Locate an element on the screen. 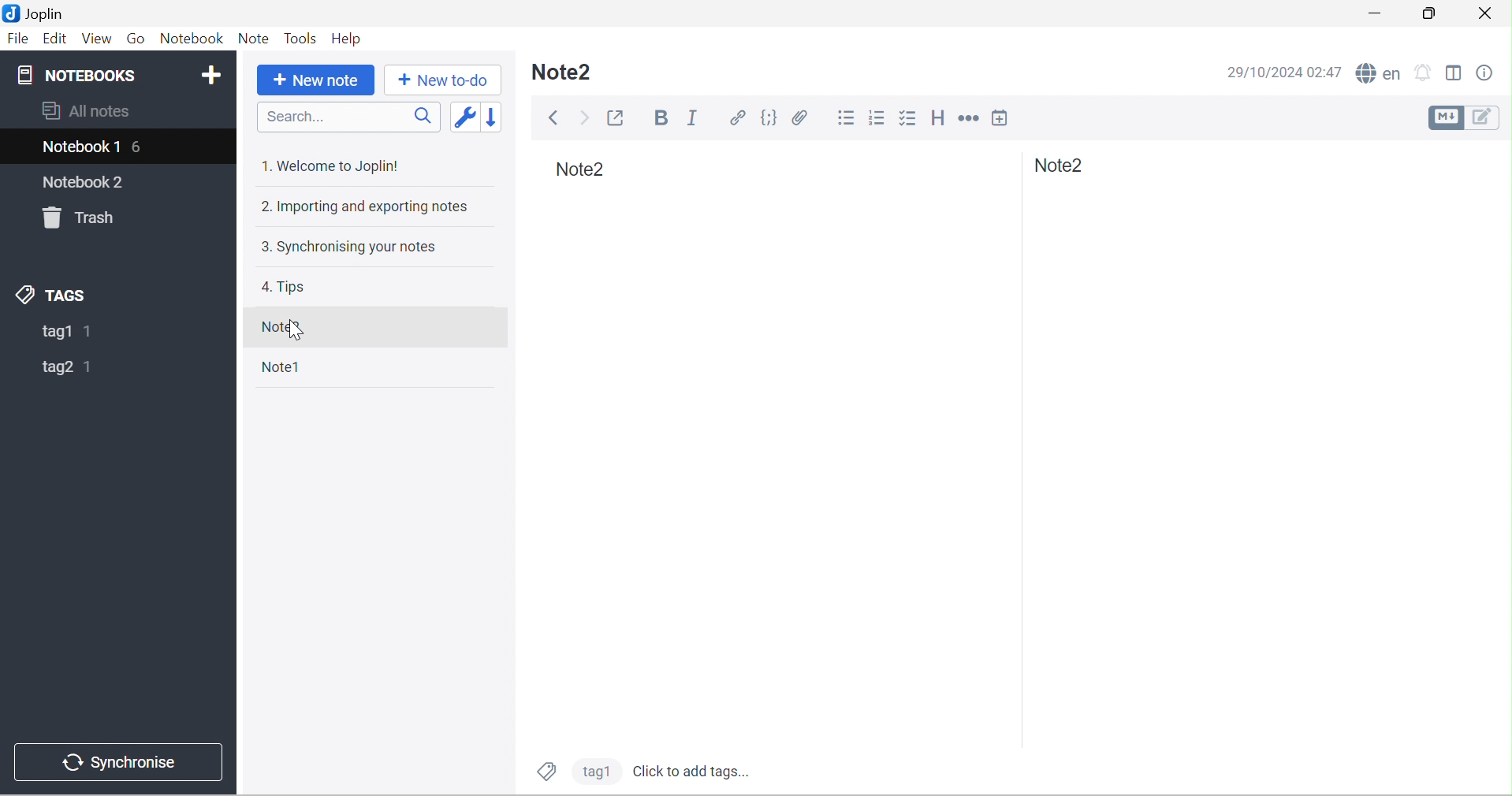 The width and height of the screenshot is (1512, 796). Toggle editor layout is located at coordinates (1455, 70).